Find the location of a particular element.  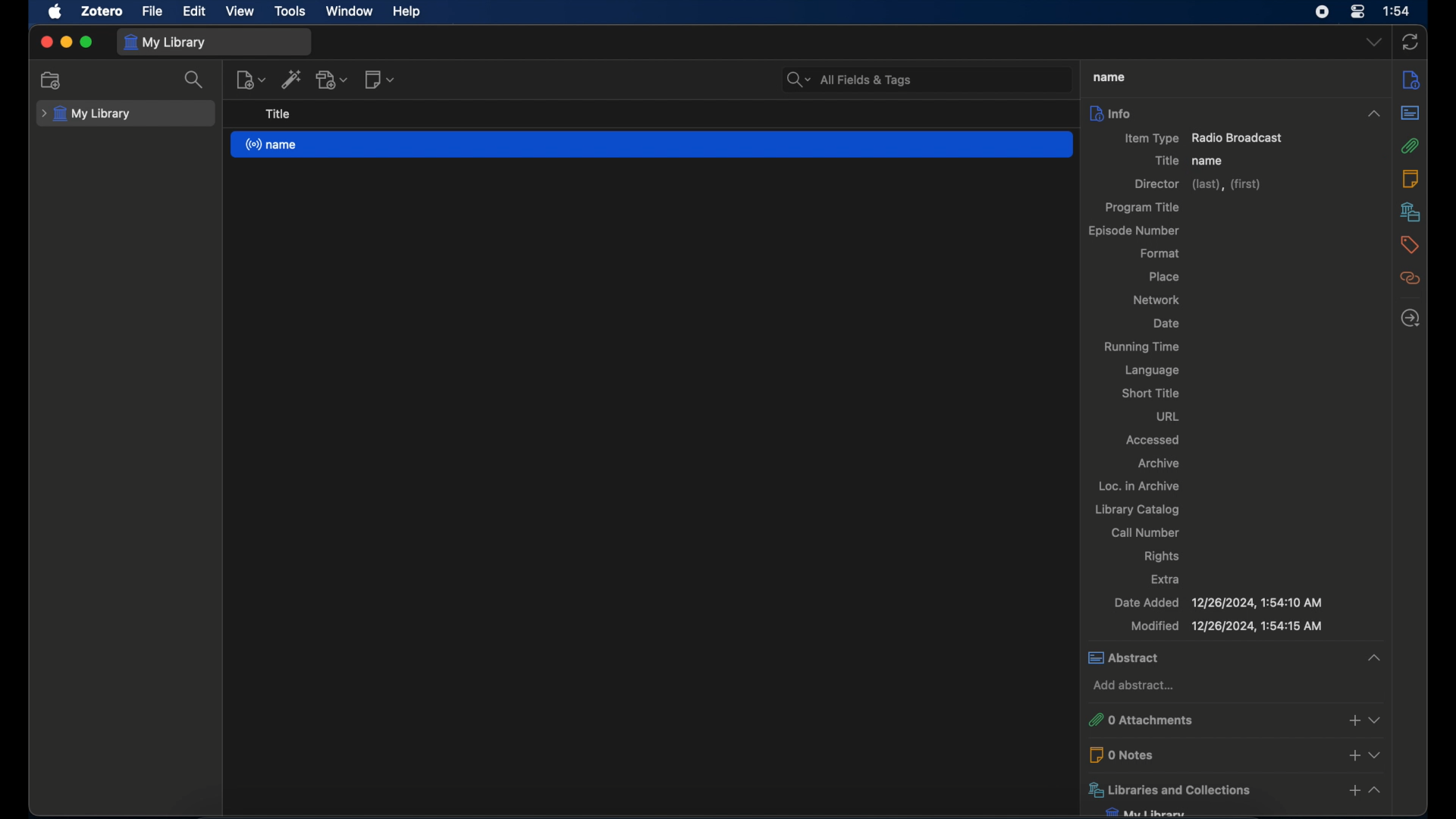

search is located at coordinates (196, 80).